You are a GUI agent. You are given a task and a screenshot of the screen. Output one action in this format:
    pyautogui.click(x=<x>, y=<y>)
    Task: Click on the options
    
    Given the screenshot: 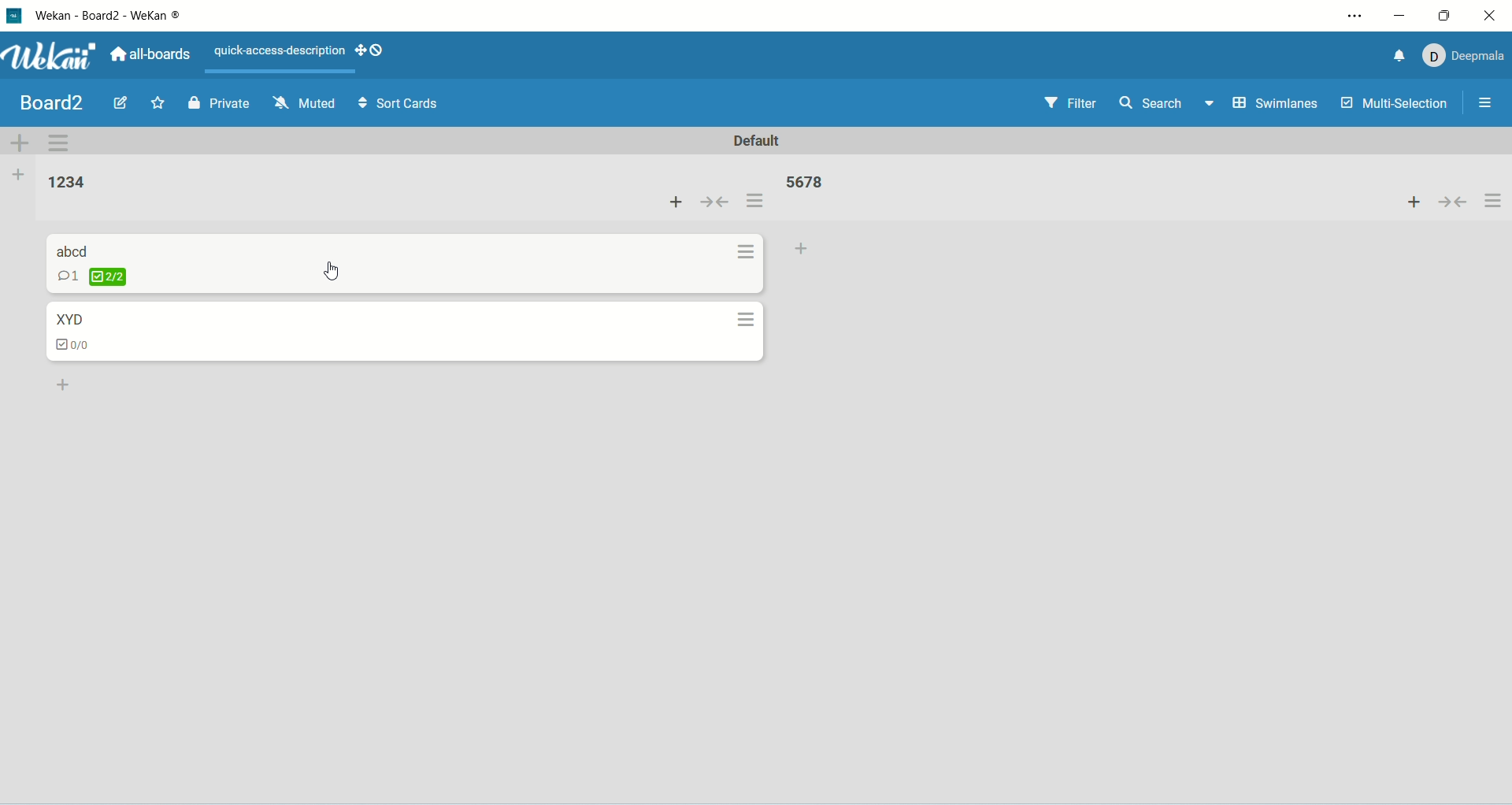 What is the action you would take?
    pyautogui.click(x=754, y=200)
    